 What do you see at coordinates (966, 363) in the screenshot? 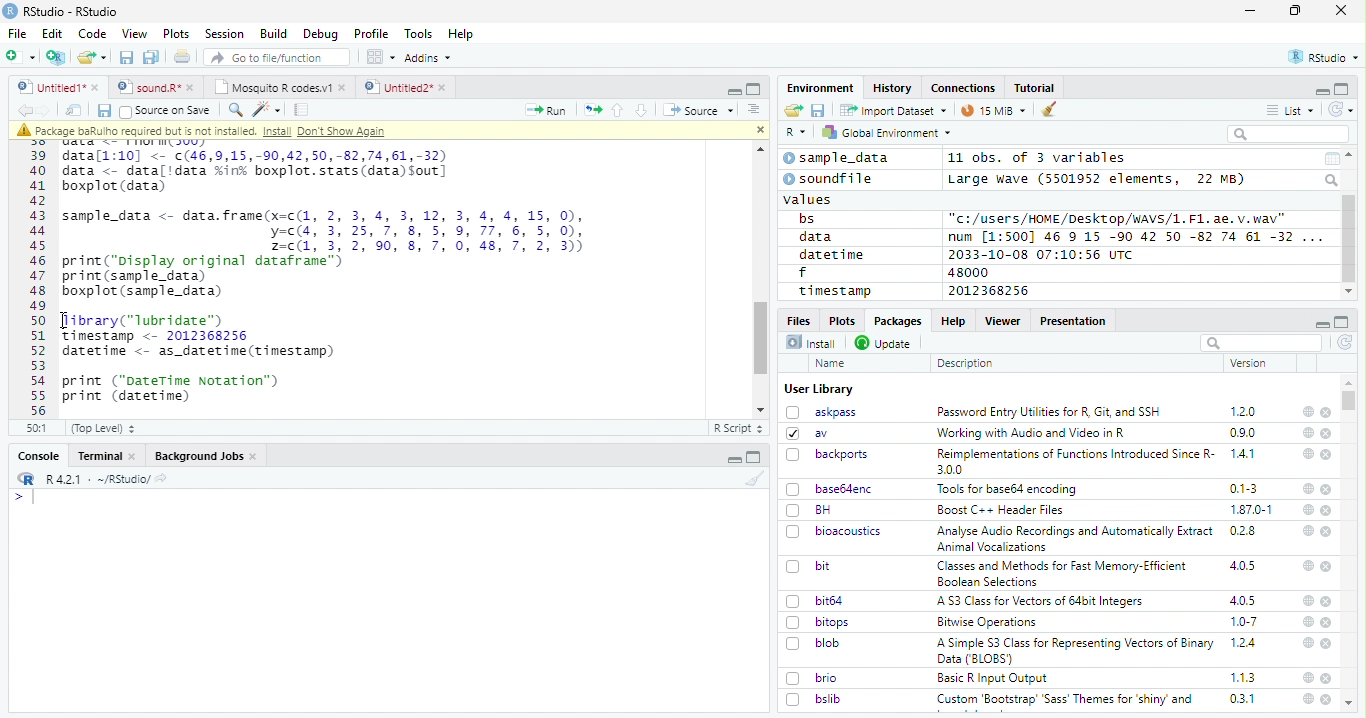
I see `Description` at bounding box center [966, 363].